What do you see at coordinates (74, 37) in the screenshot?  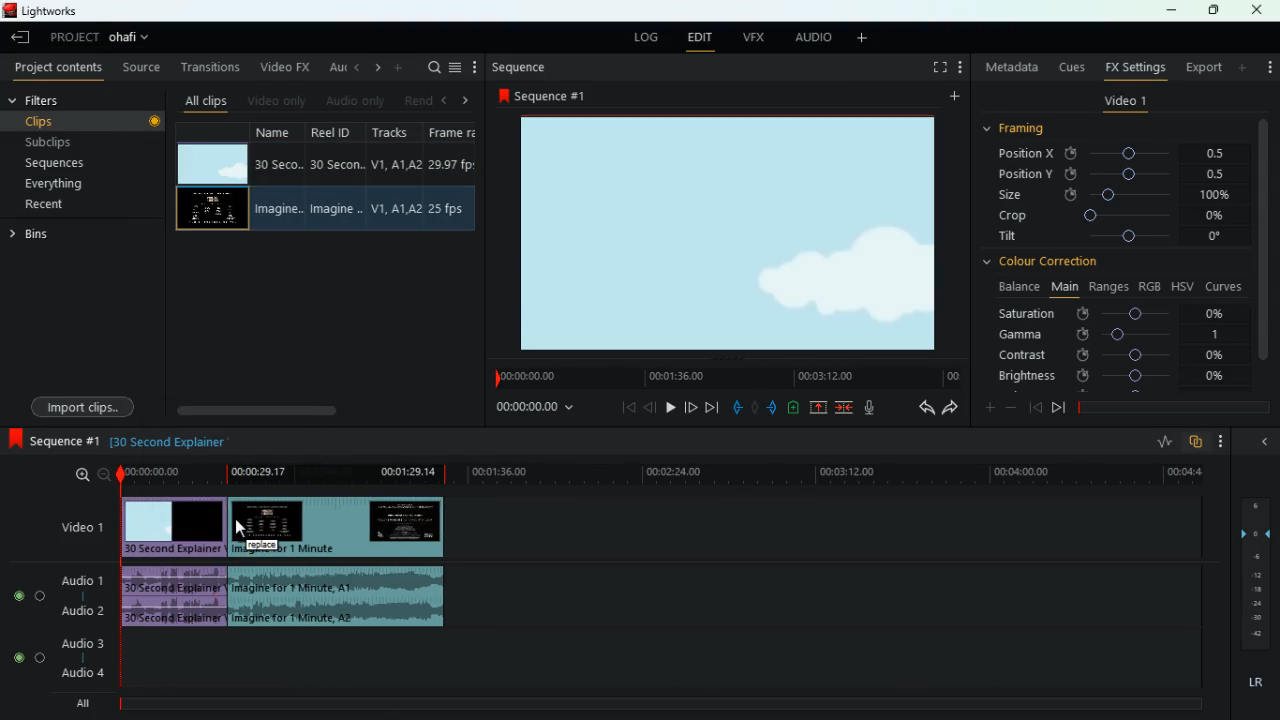 I see `project` at bounding box center [74, 37].